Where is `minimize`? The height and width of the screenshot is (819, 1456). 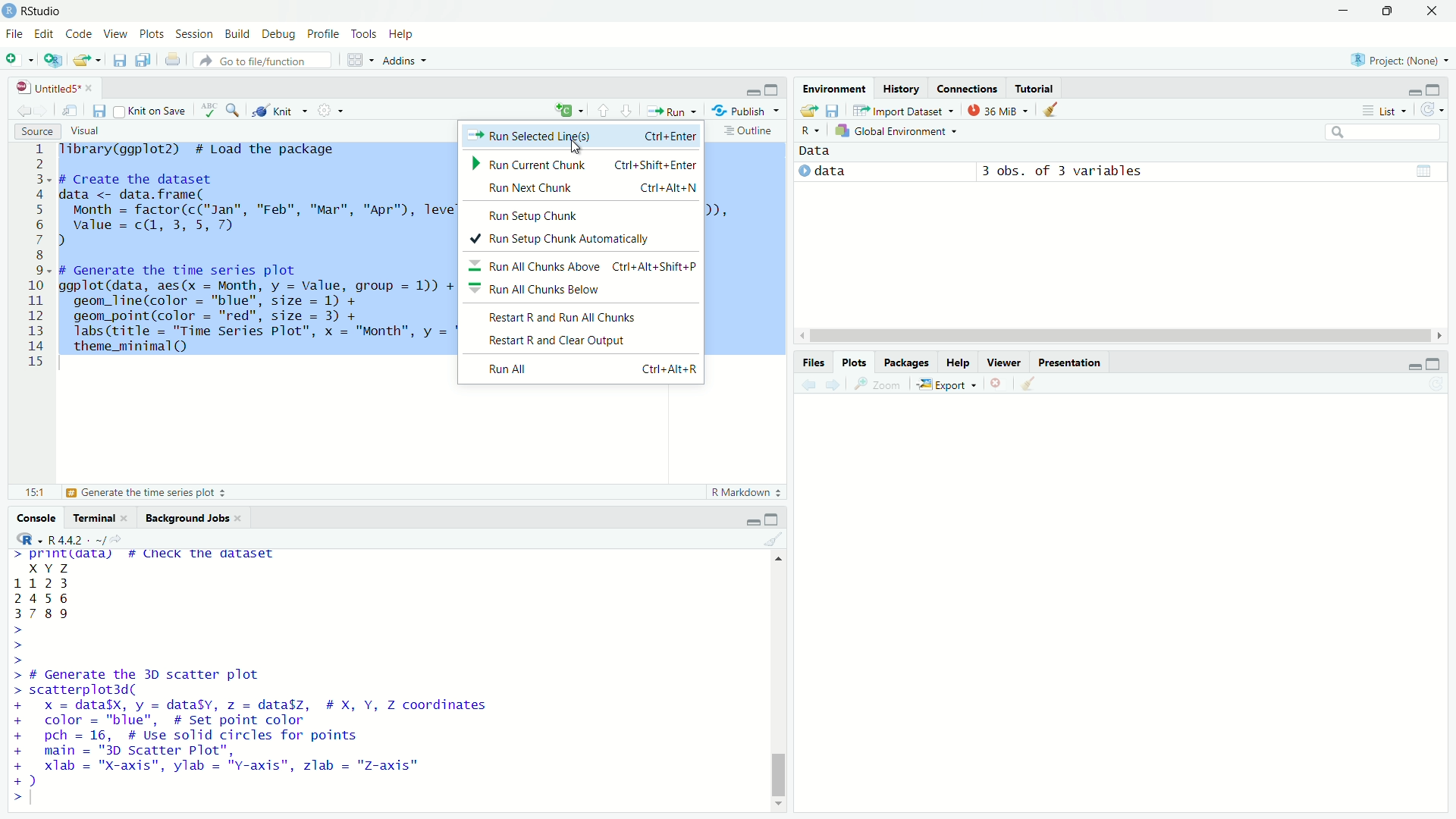
minimize is located at coordinates (1345, 10).